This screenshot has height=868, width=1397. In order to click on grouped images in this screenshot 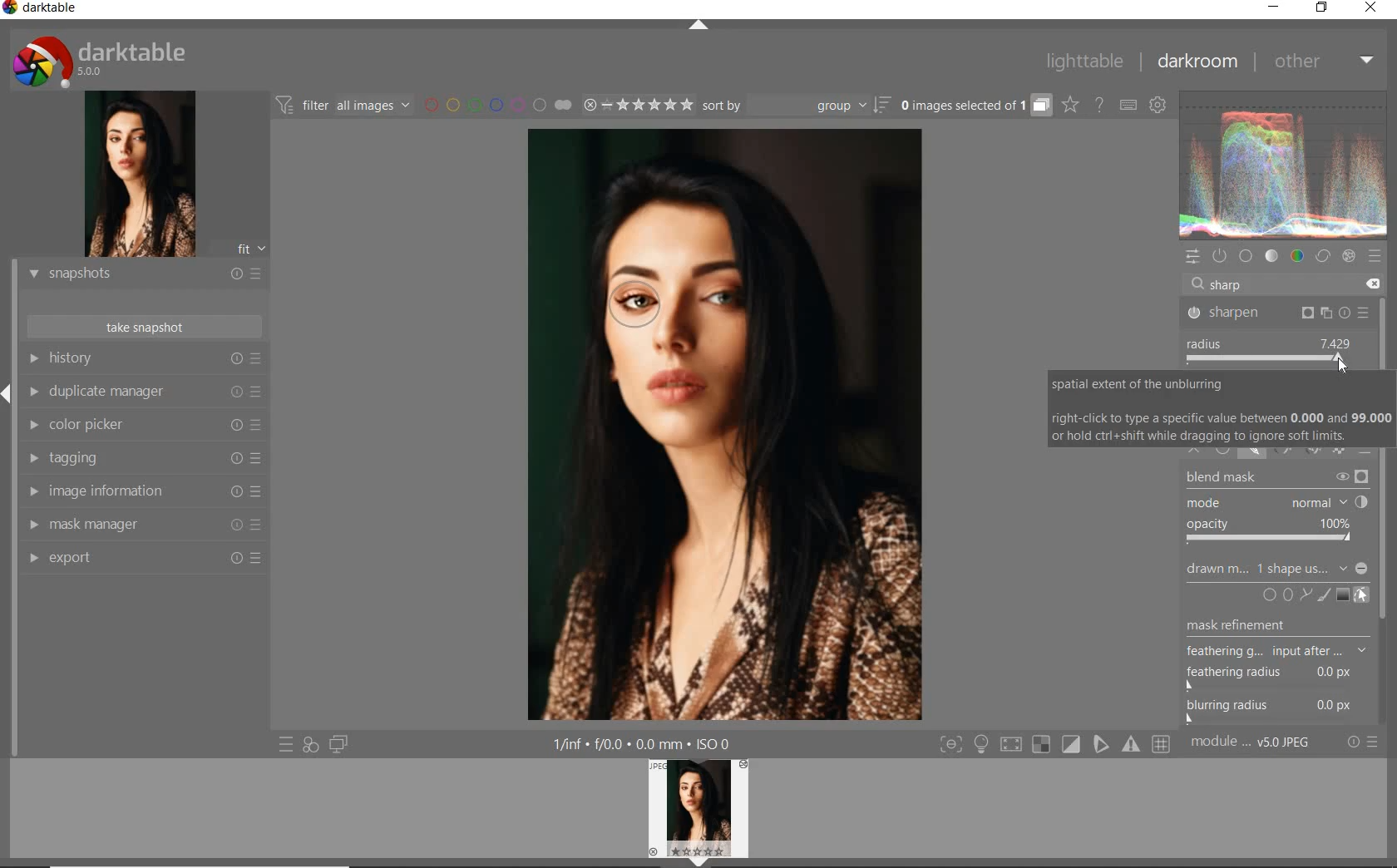, I will do `click(976, 106)`.